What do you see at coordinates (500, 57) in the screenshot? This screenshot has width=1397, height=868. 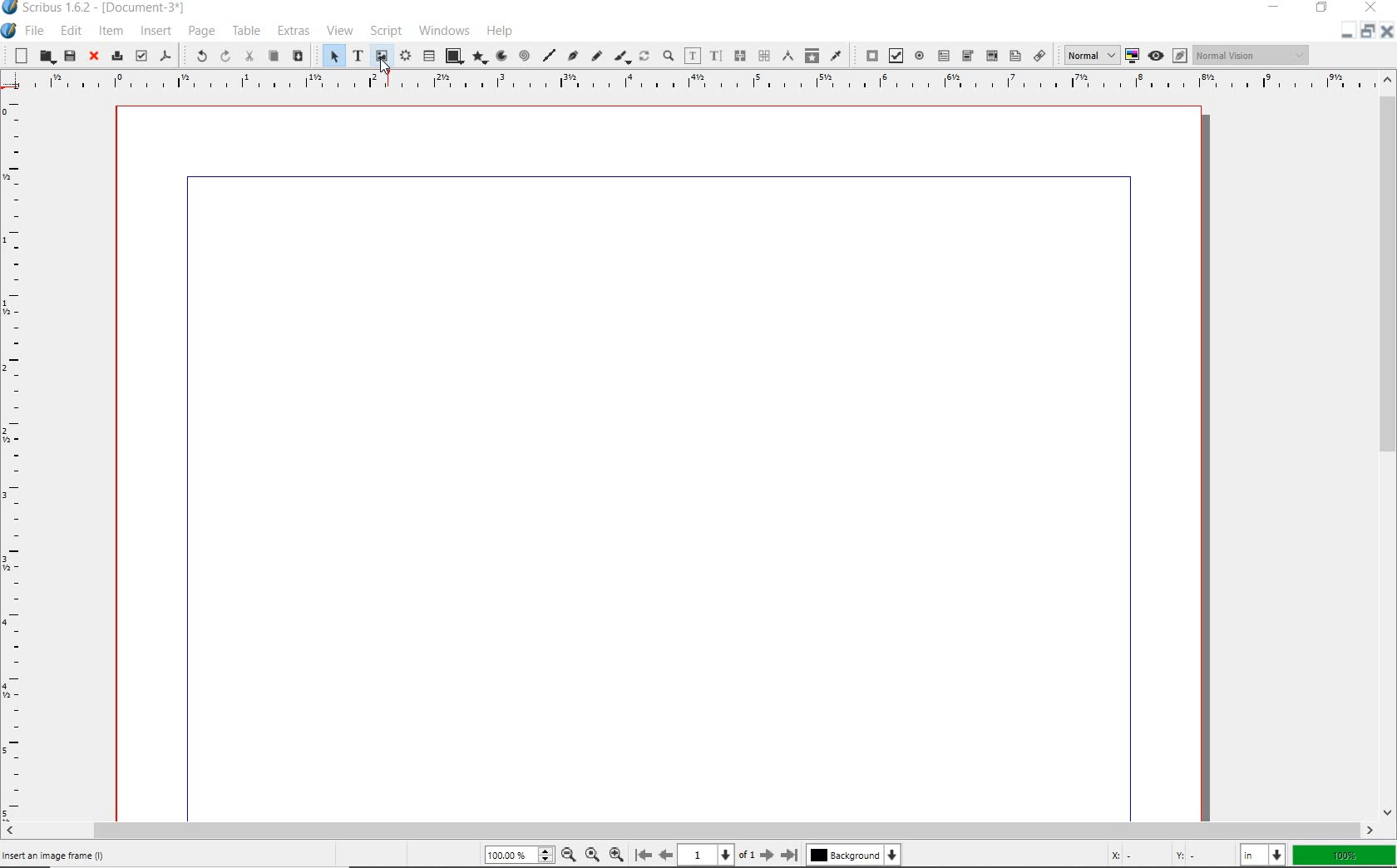 I see `arc` at bounding box center [500, 57].